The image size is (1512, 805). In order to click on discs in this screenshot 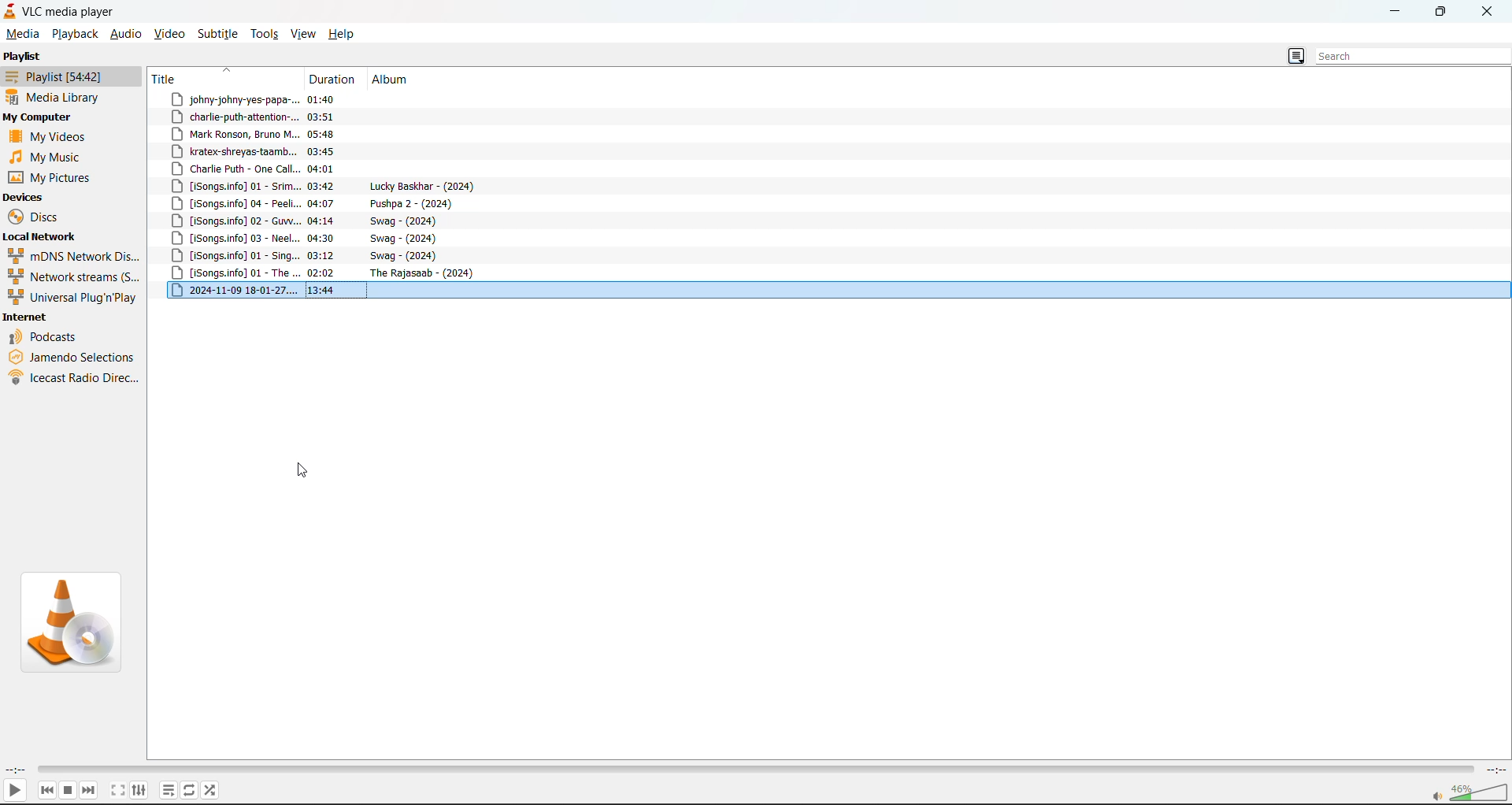, I will do `click(35, 217)`.